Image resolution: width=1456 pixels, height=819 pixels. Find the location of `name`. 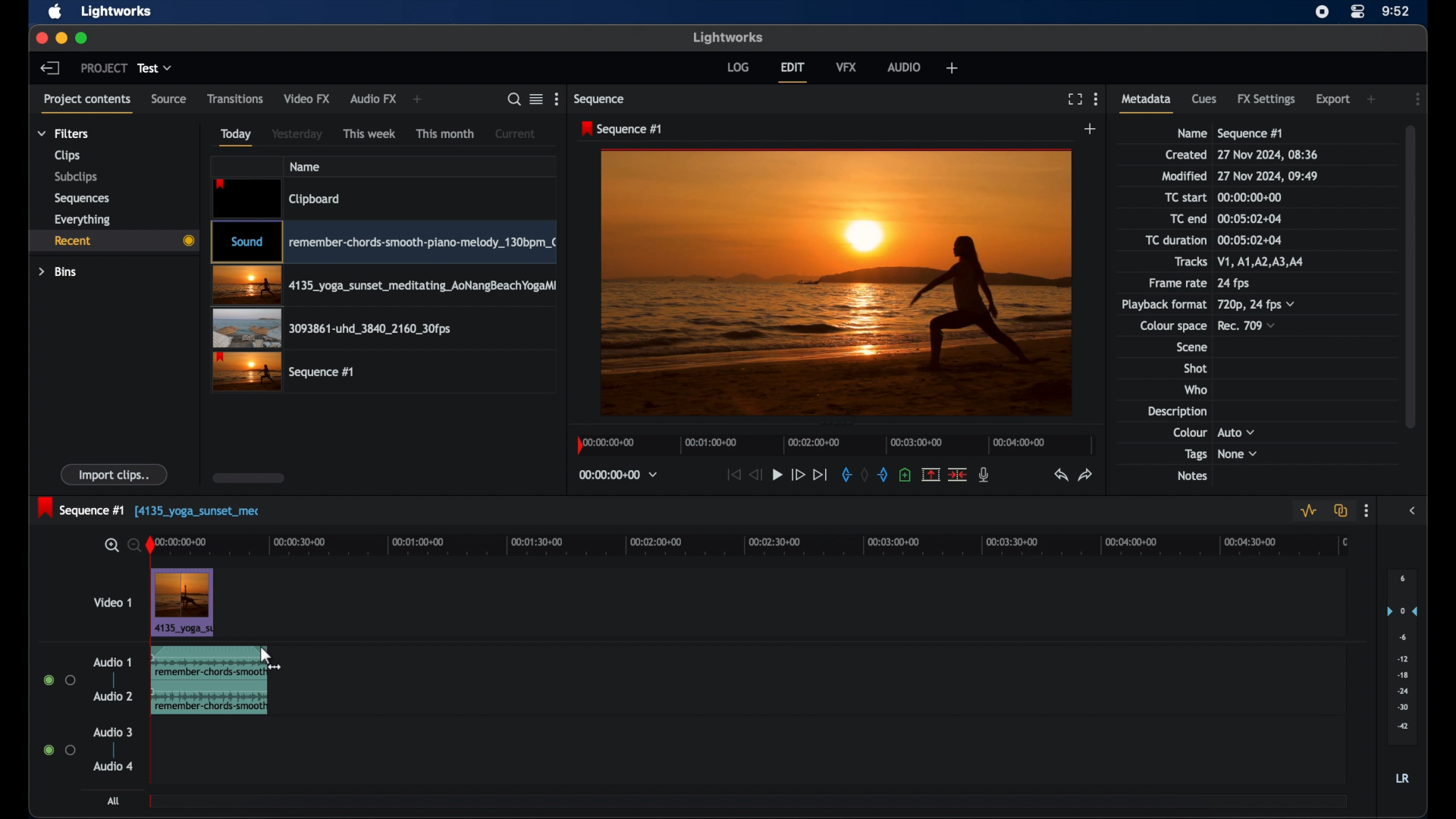

name is located at coordinates (304, 167).